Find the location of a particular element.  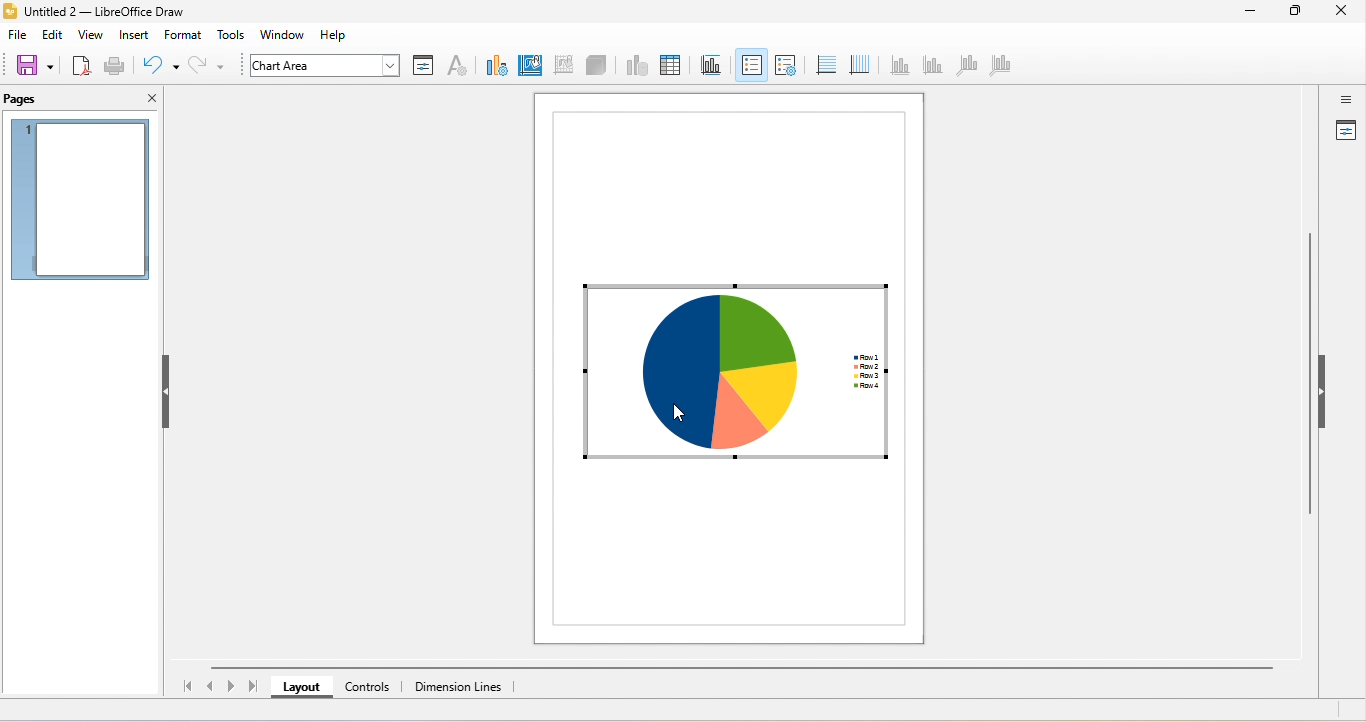

export as pdf is located at coordinates (81, 65).